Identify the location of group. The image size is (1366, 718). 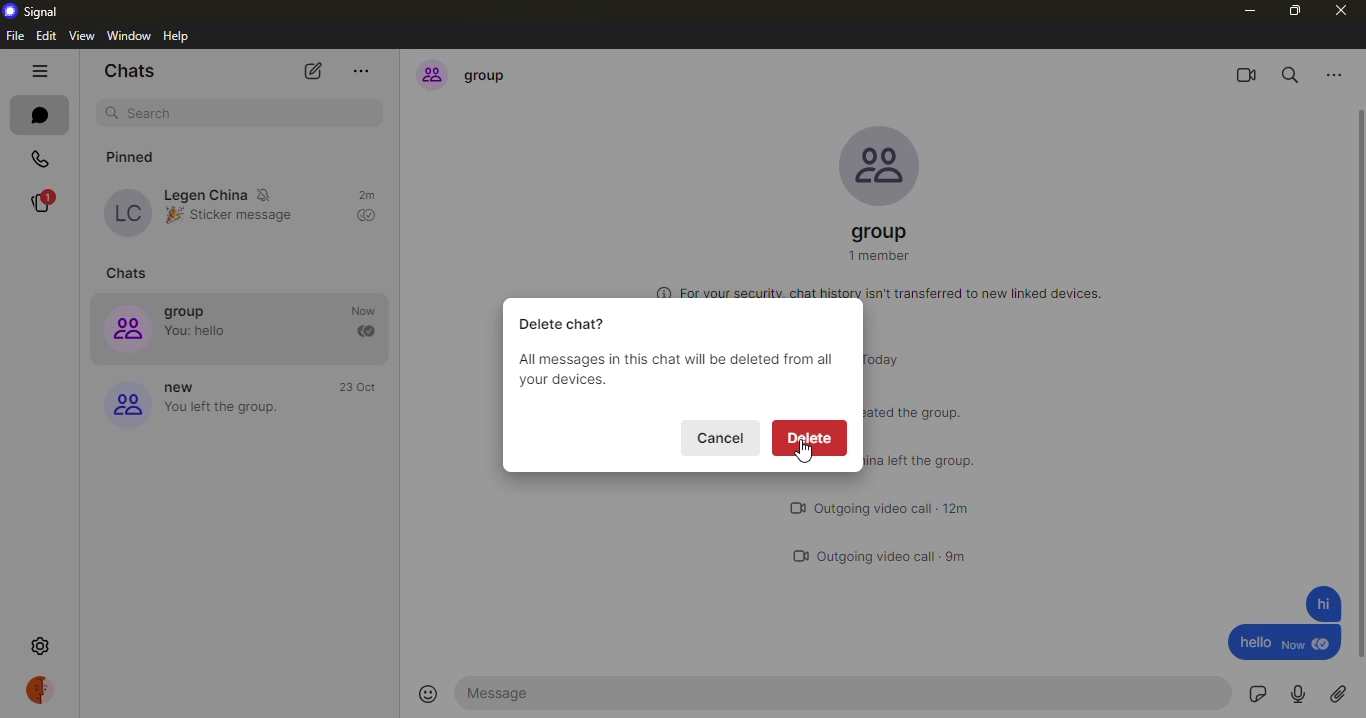
(499, 77).